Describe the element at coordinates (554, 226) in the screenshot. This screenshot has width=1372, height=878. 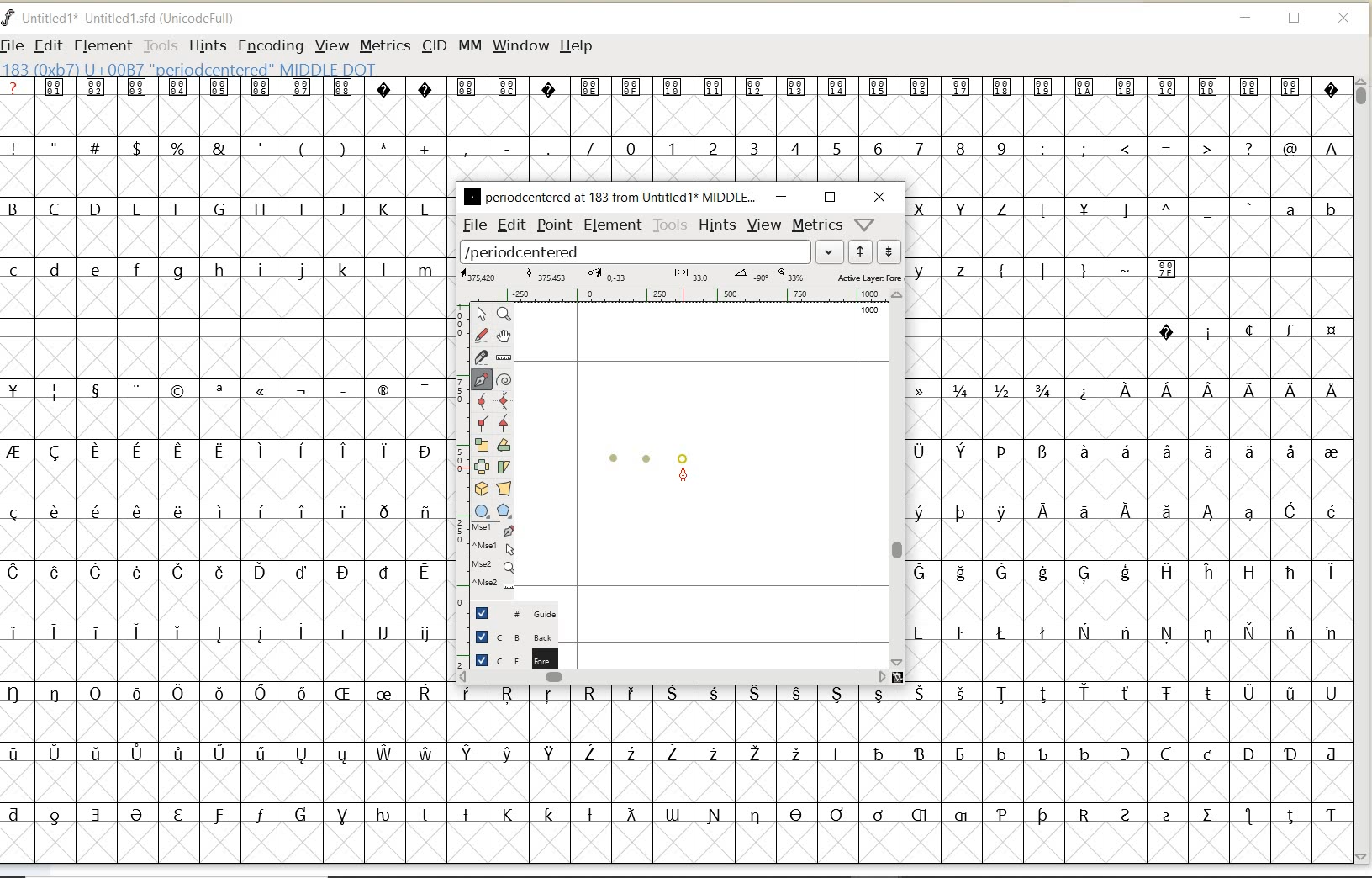
I see `point` at that location.